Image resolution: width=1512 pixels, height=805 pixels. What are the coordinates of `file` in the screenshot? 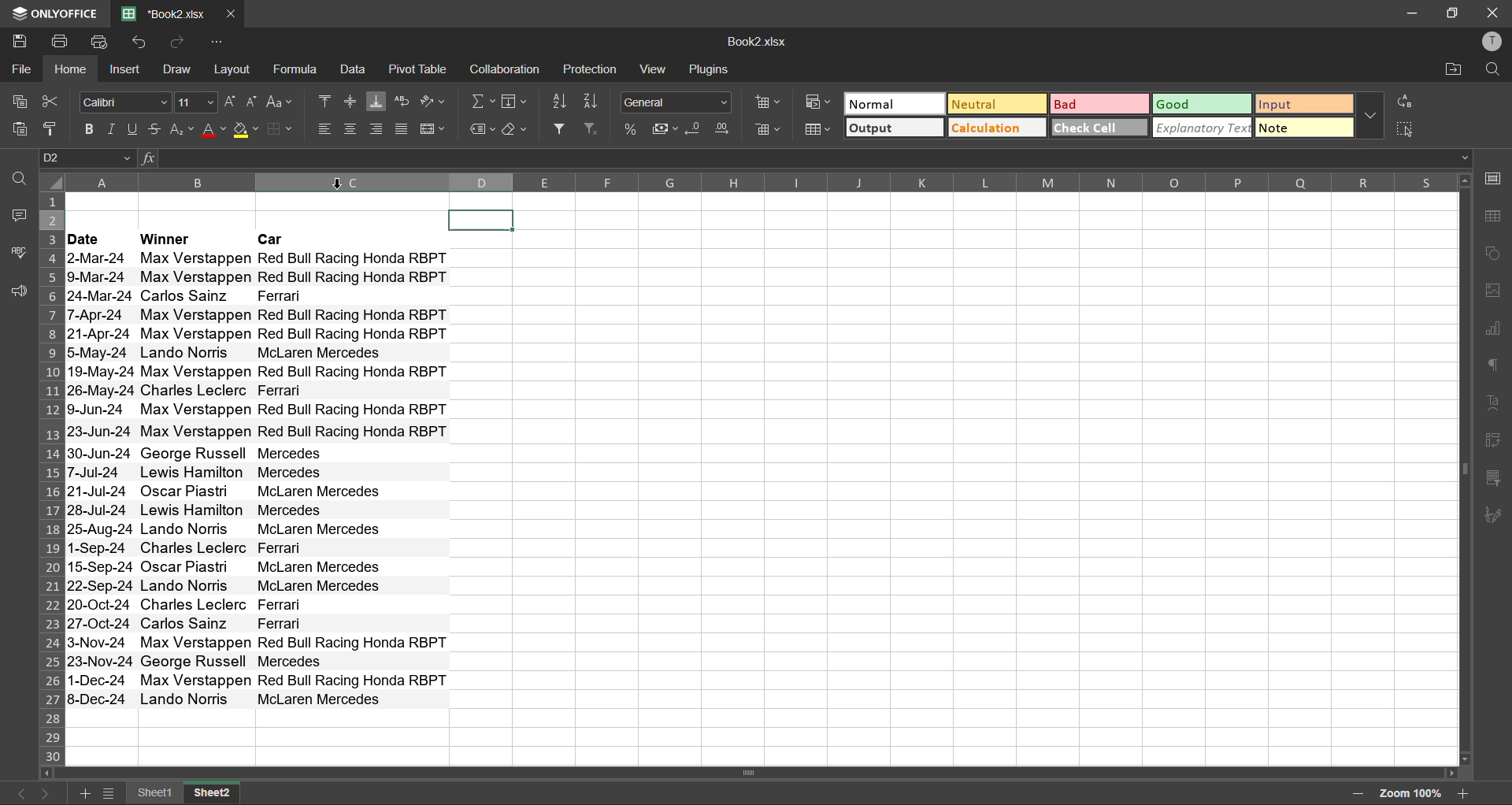 It's located at (22, 71).